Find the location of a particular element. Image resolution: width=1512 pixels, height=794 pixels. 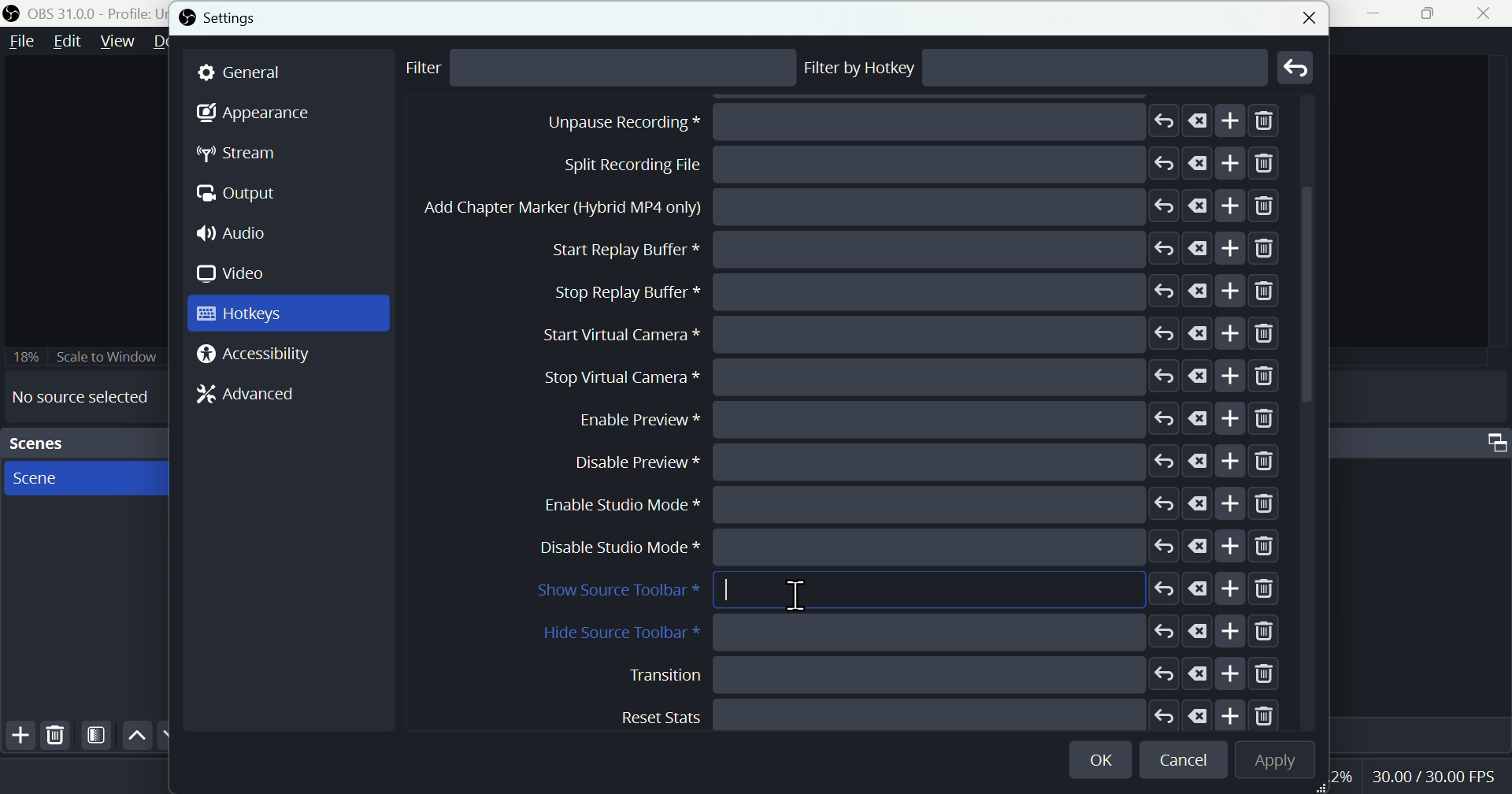

Edit is located at coordinates (67, 44).